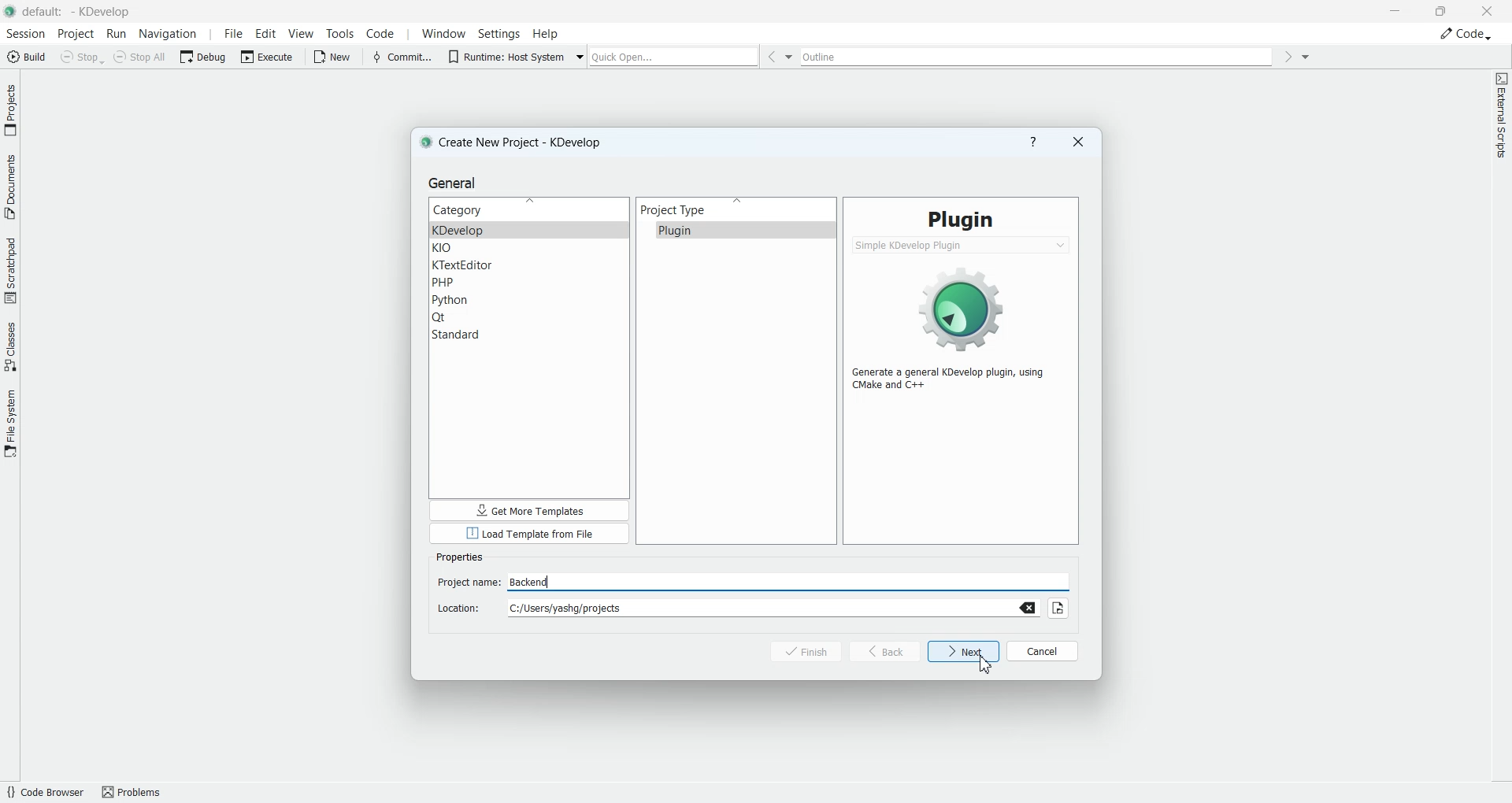 Image resolution: width=1512 pixels, height=803 pixels. Describe the element at coordinates (529, 335) in the screenshot. I see `Standard` at that location.